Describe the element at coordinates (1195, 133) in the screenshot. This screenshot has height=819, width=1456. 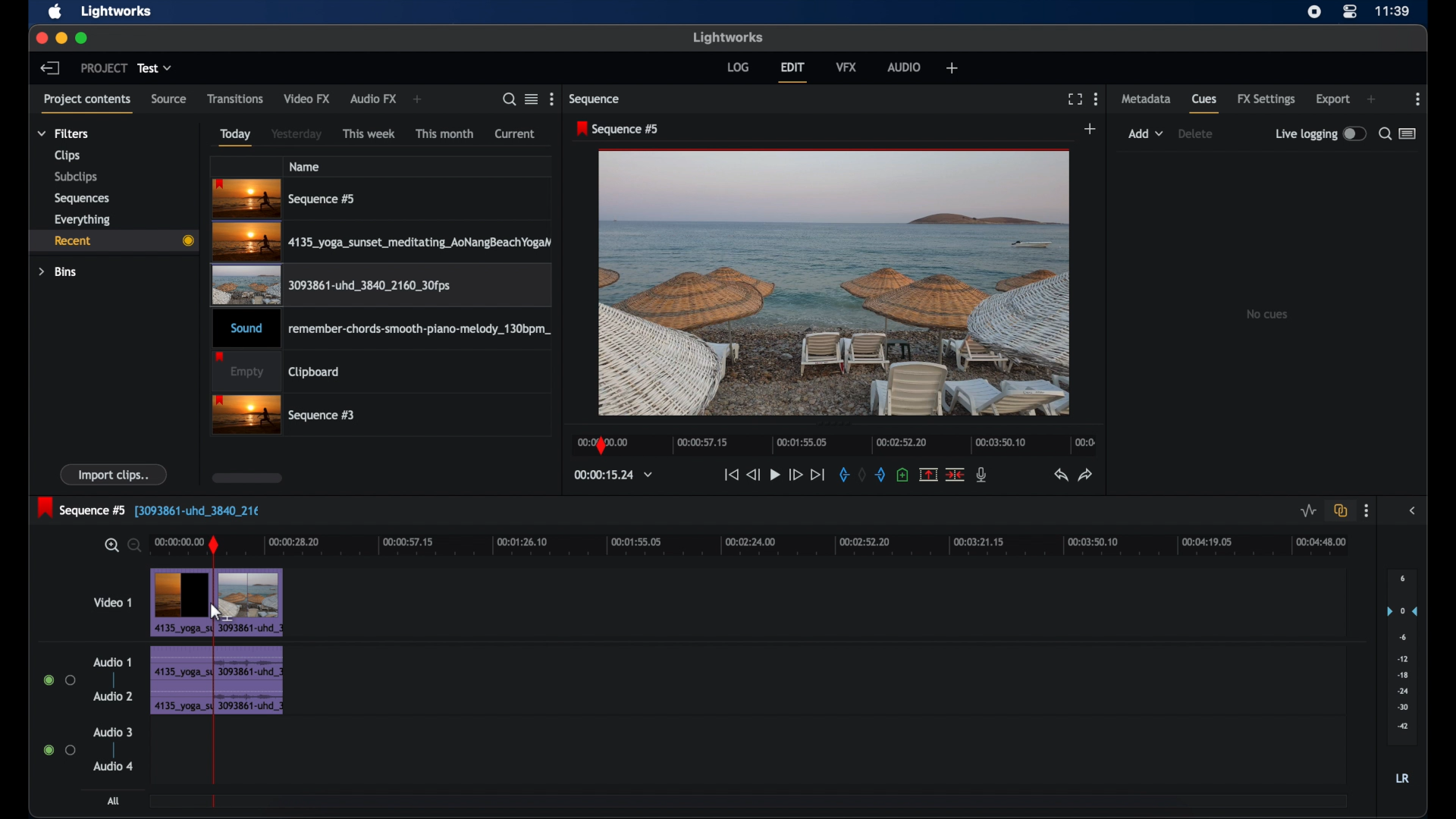
I see `delete` at that location.